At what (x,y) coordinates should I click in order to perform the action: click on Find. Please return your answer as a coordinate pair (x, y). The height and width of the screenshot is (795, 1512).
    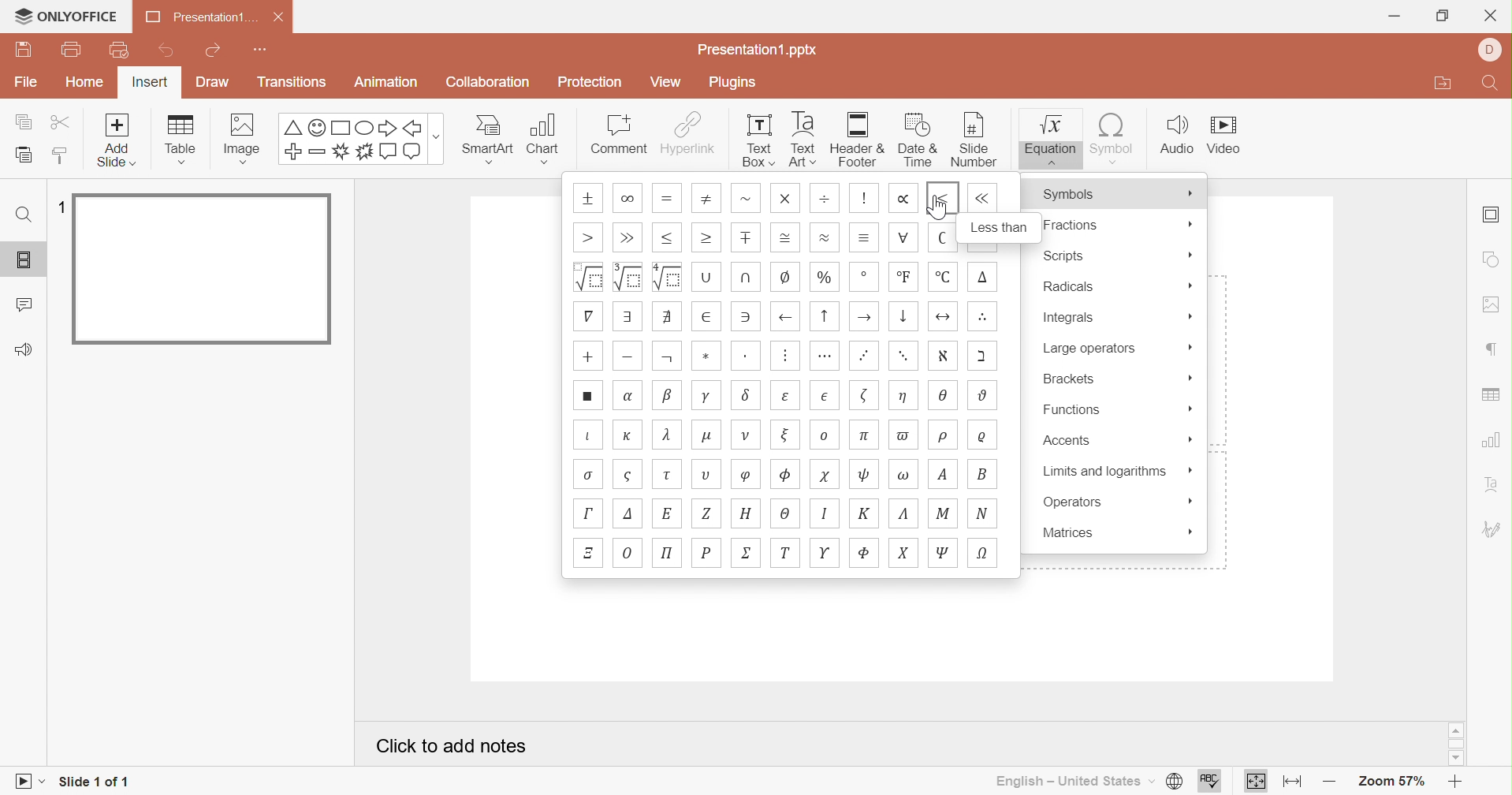
    Looking at the image, I should click on (27, 216).